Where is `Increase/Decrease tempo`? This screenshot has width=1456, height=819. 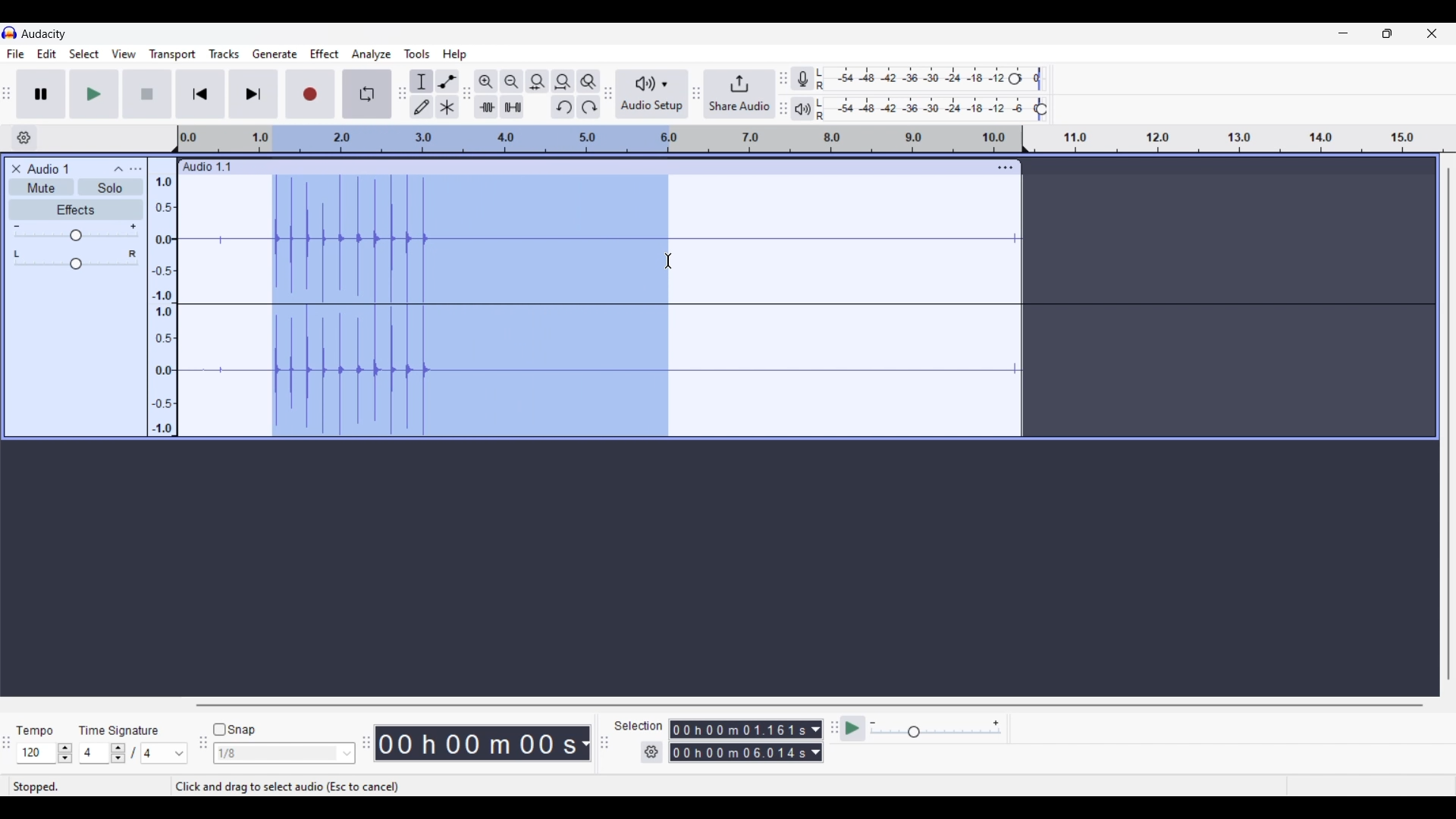
Increase/Decrease tempo is located at coordinates (64, 754).